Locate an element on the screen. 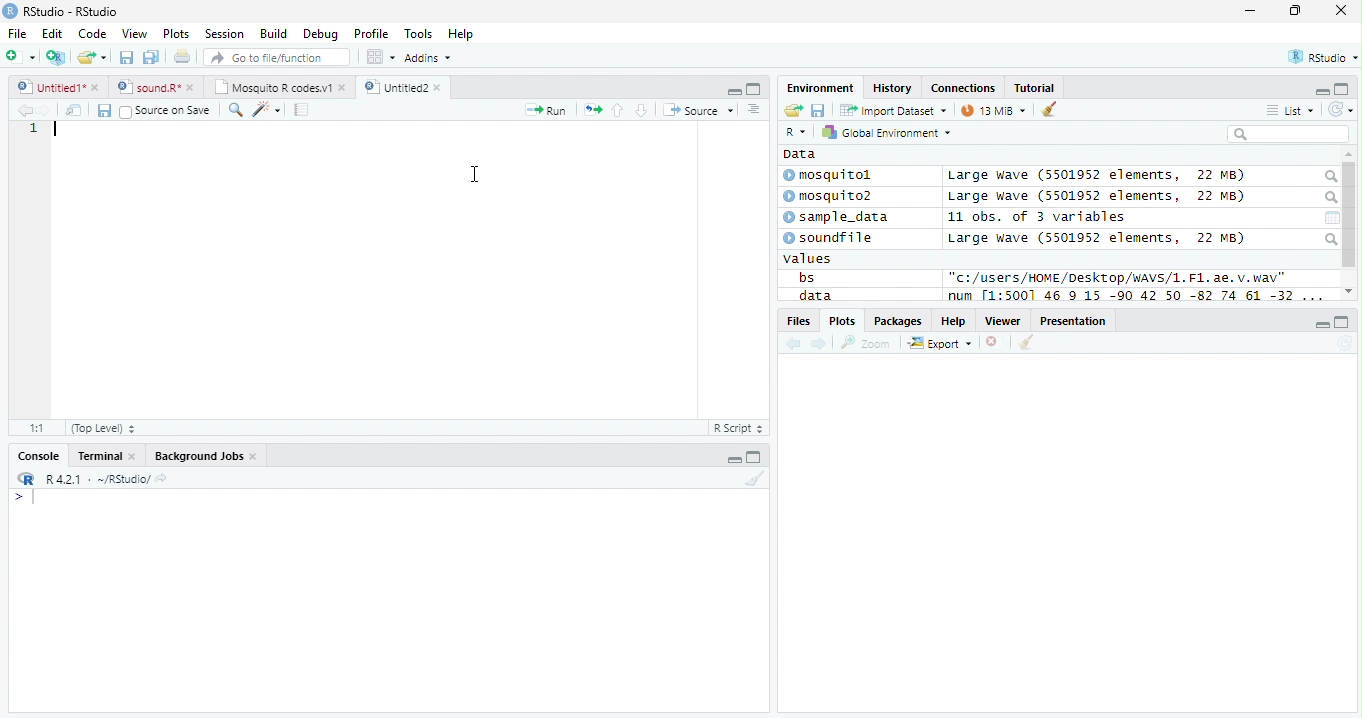 The width and height of the screenshot is (1362, 718). Create a project is located at coordinates (58, 57).